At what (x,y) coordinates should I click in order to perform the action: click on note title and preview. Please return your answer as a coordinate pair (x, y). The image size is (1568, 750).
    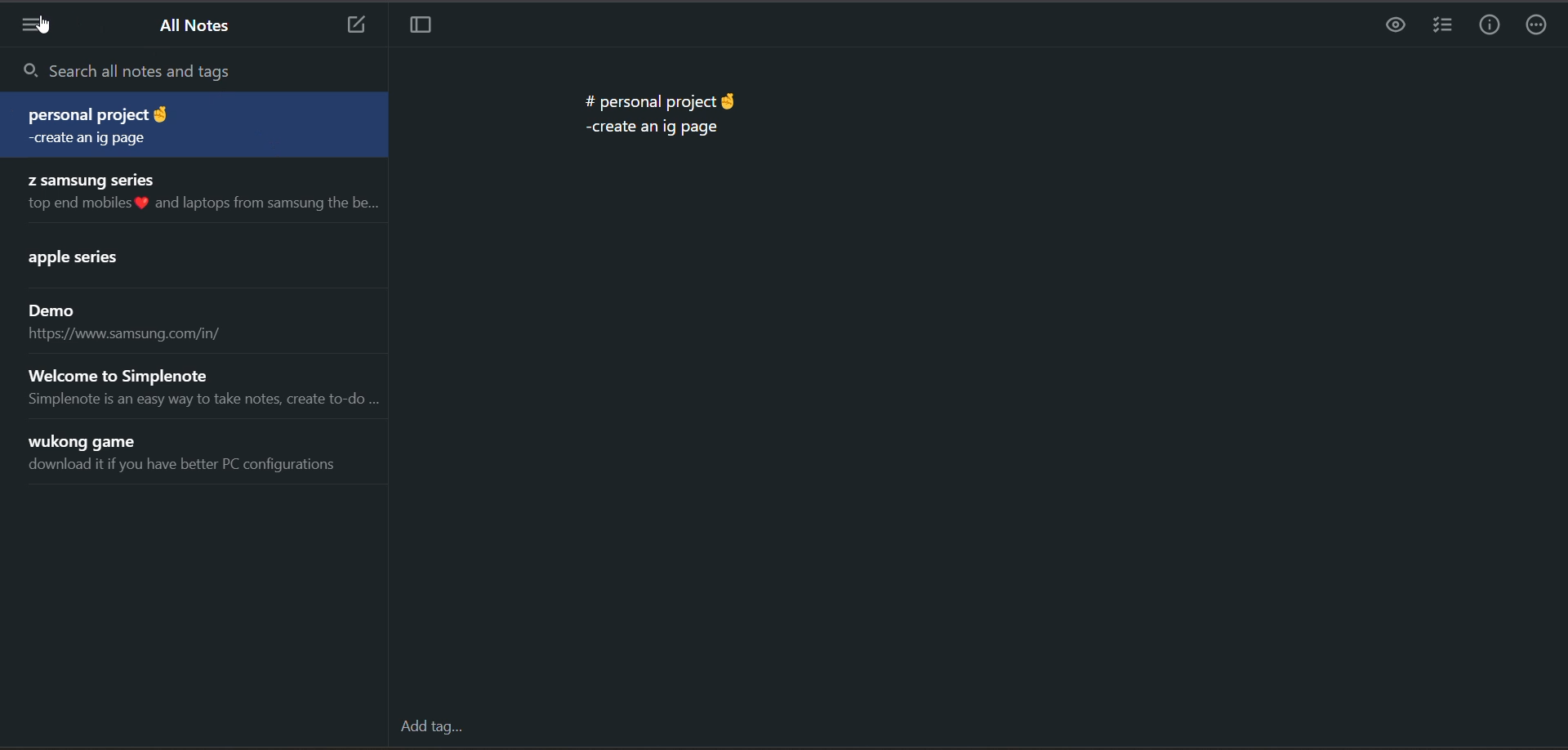
    Looking at the image, I should click on (186, 455).